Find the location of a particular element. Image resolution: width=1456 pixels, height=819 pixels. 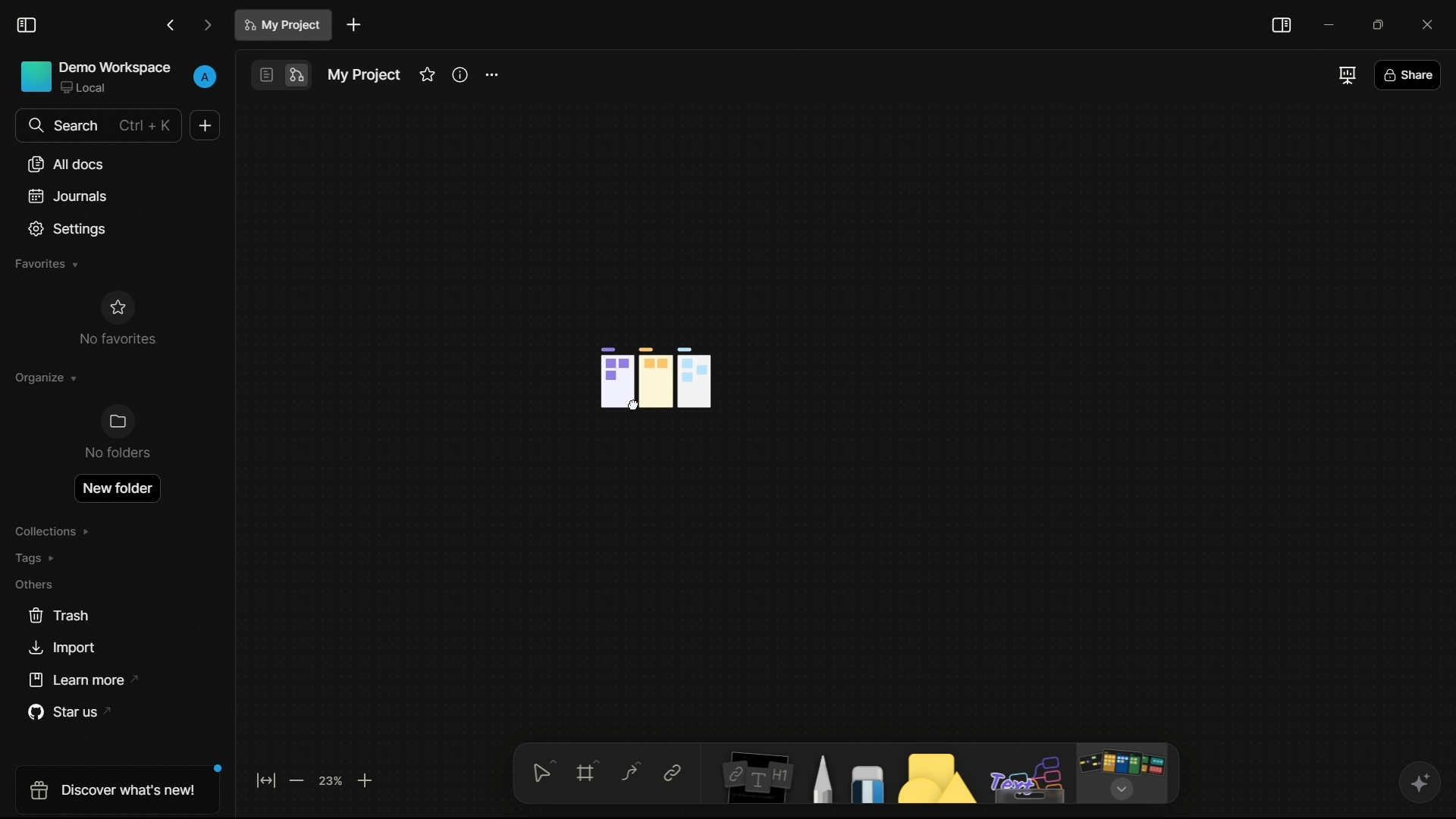

informations is located at coordinates (460, 74).